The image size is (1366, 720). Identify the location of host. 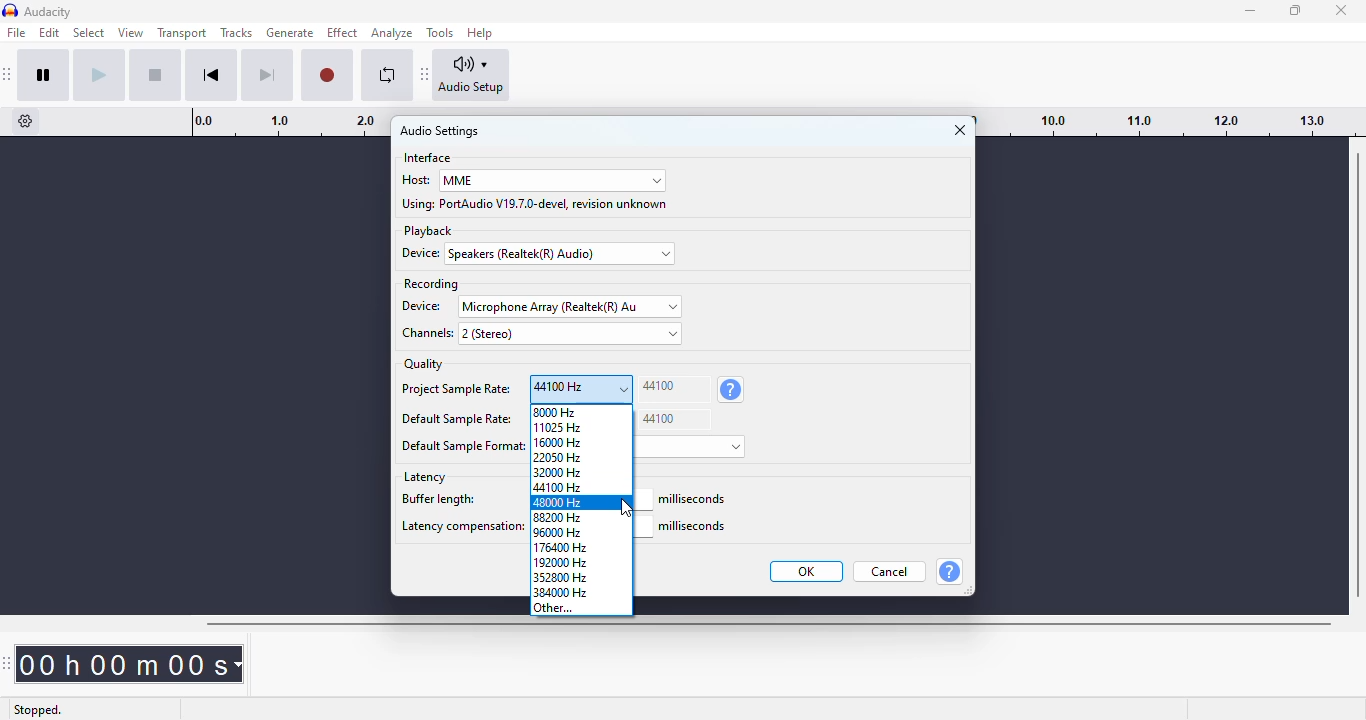
(415, 179).